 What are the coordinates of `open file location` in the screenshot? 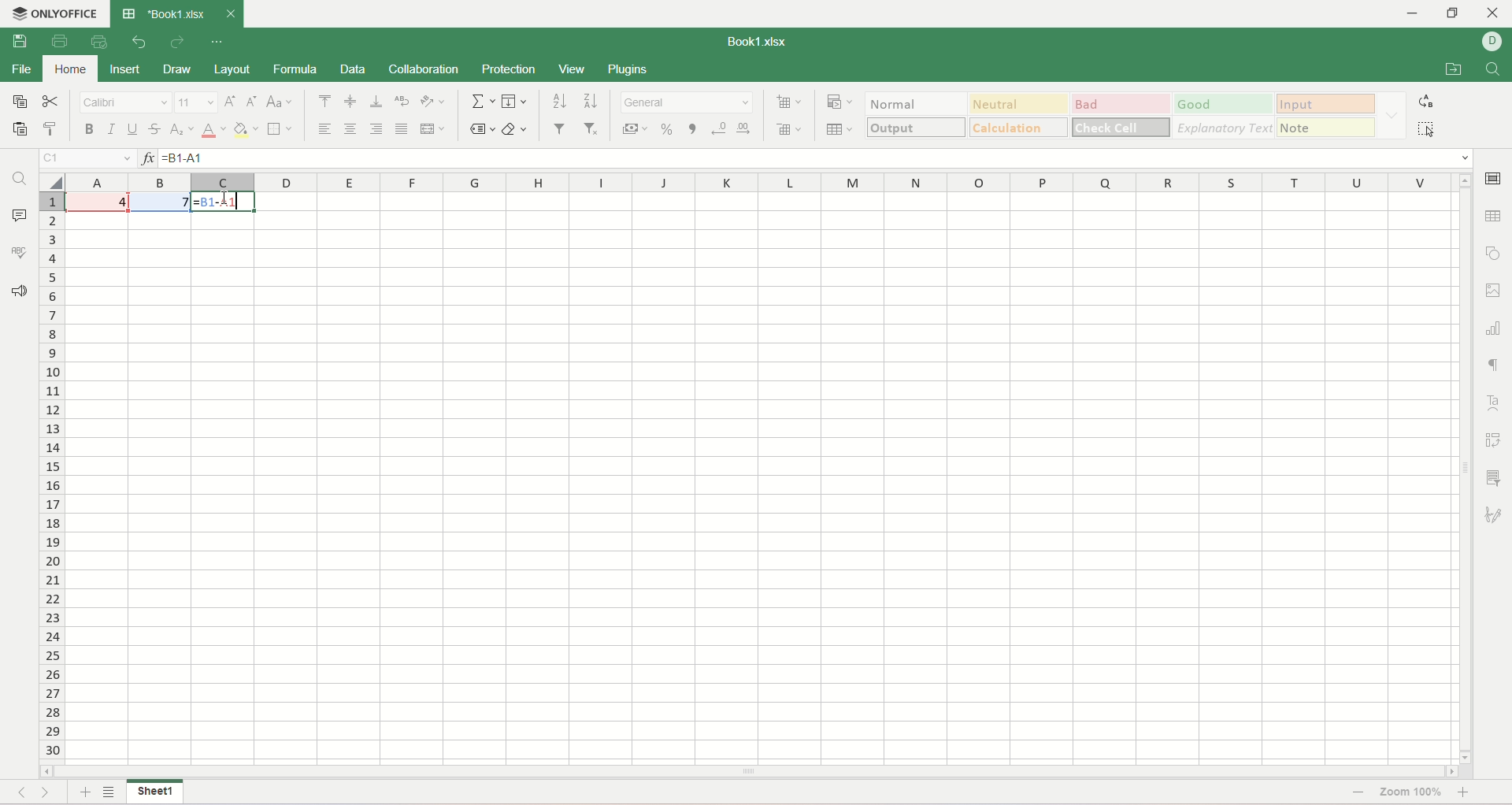 It's located at (1454, 69).